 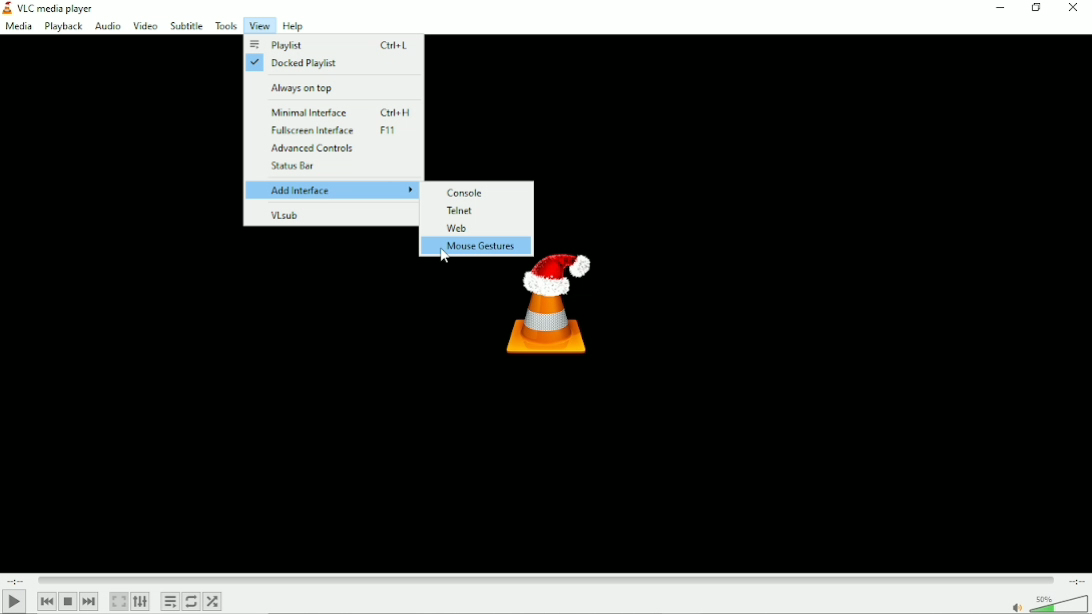 I want to click on Close, so click(x=1074, y=9).